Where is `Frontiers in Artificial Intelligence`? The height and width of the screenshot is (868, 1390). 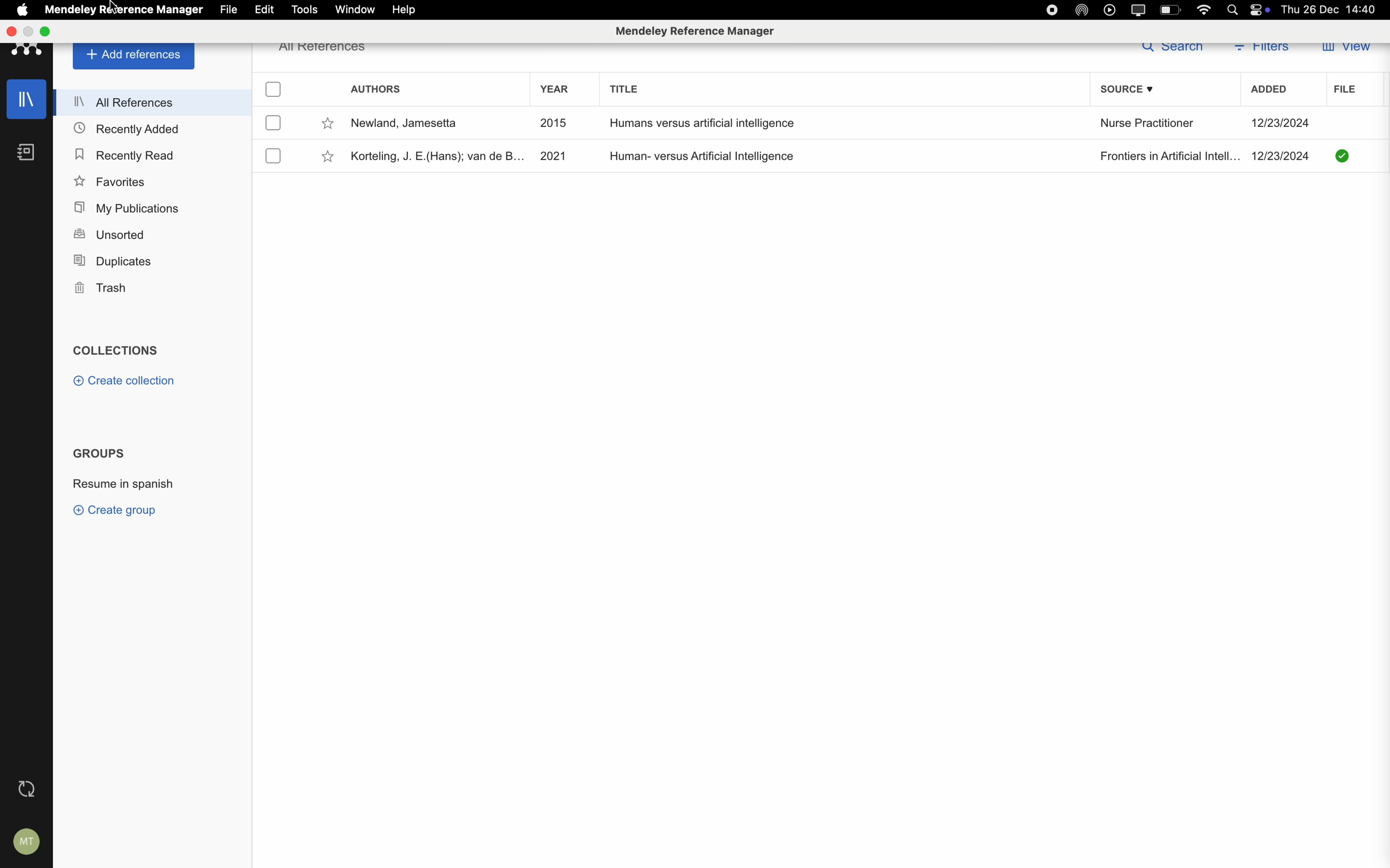 Frontiers in Artificial Intelligence is located at coordinates (1168, 157).